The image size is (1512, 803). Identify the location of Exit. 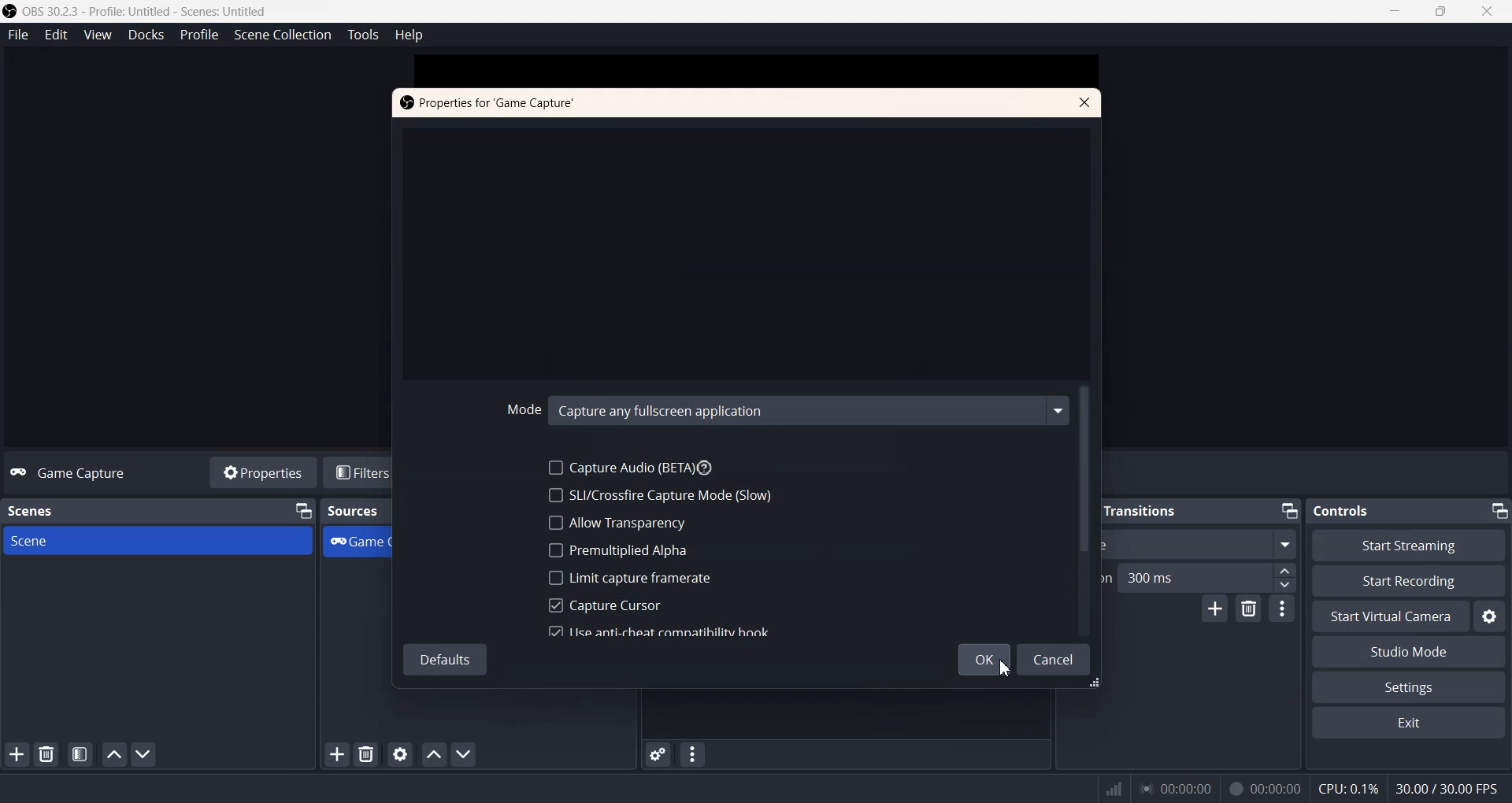
(1410, 724).